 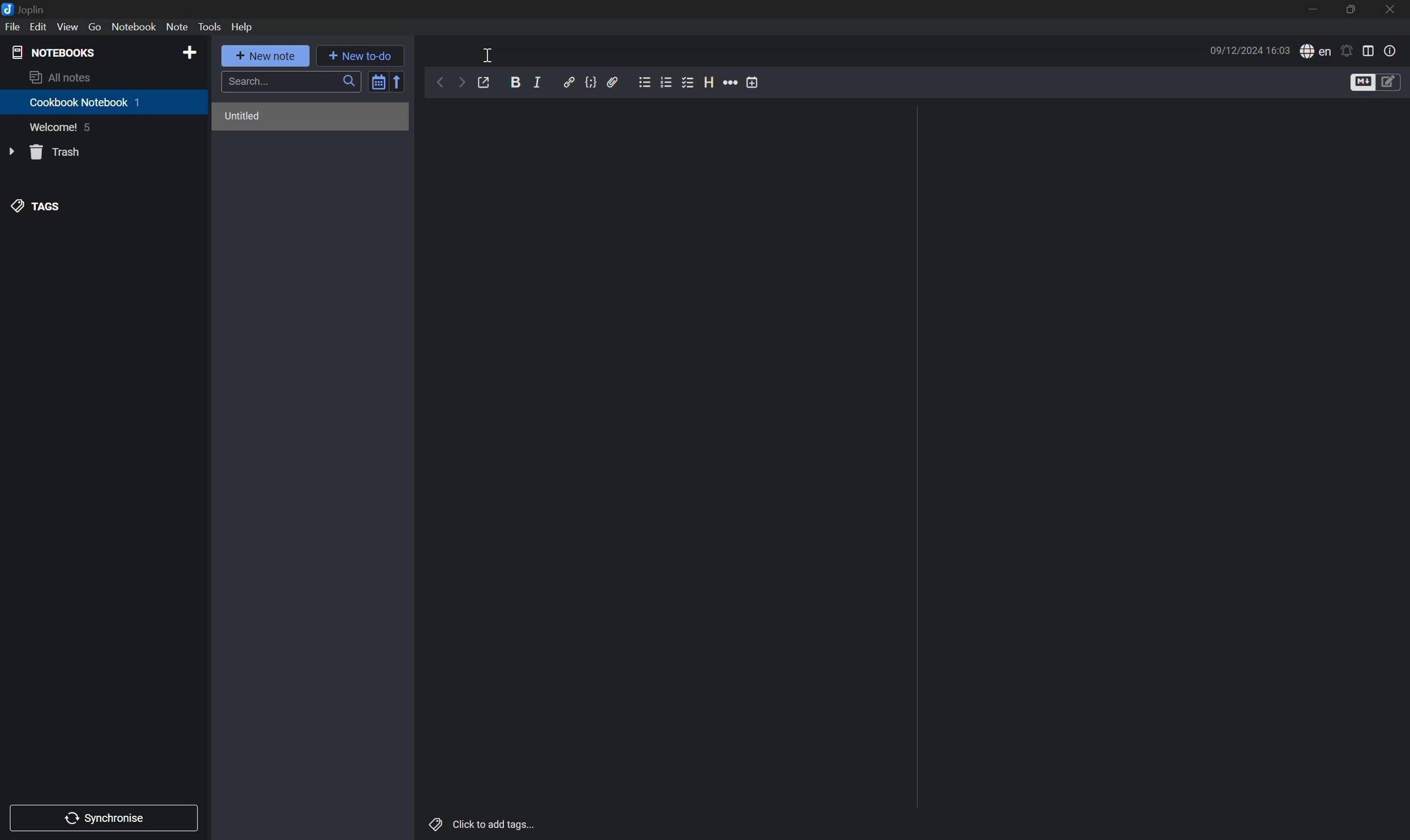 I want to click on Code block, so click(x=593, y=82).